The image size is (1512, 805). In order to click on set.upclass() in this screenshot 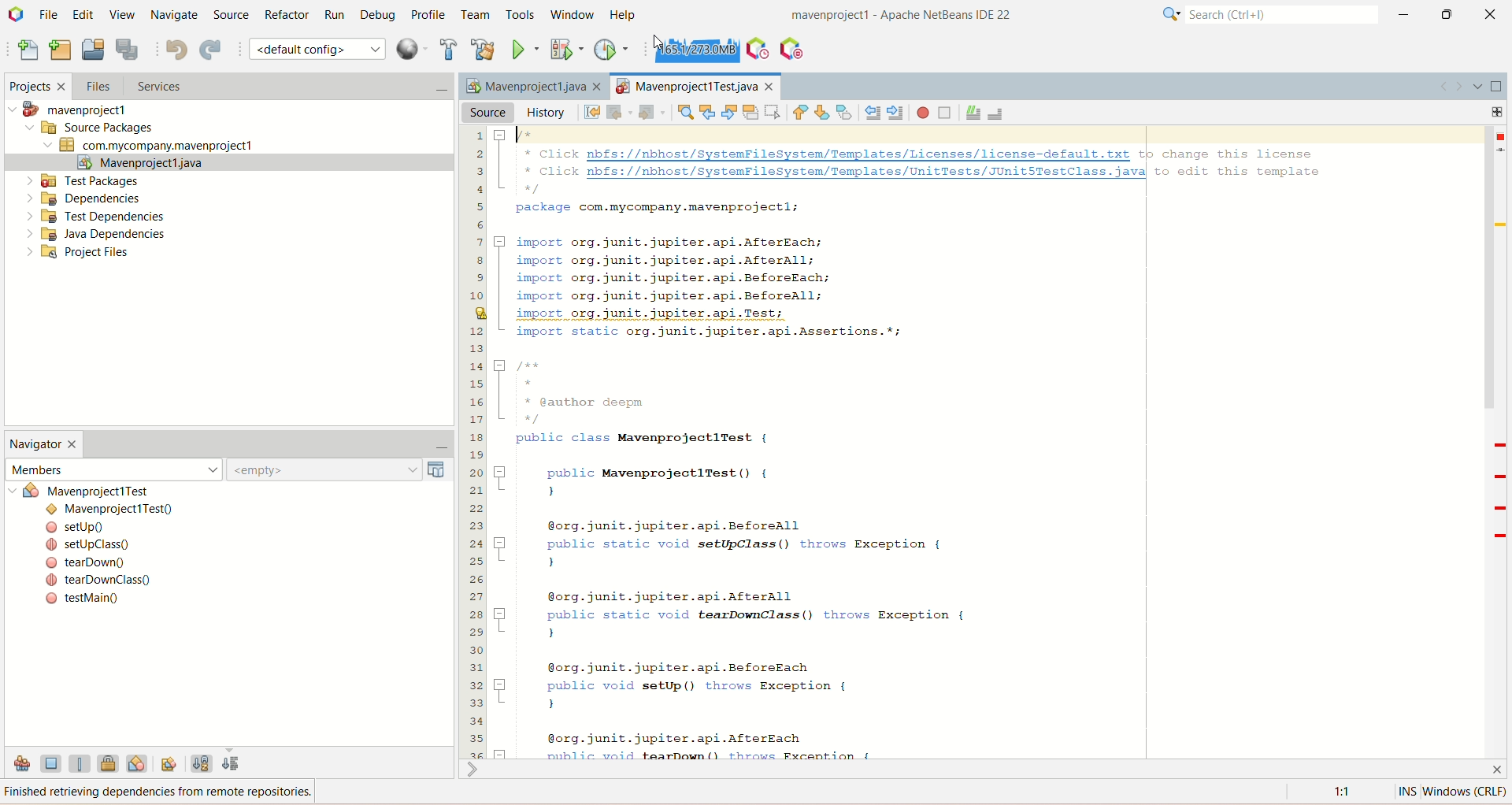, I will do `click(124, 543)`.